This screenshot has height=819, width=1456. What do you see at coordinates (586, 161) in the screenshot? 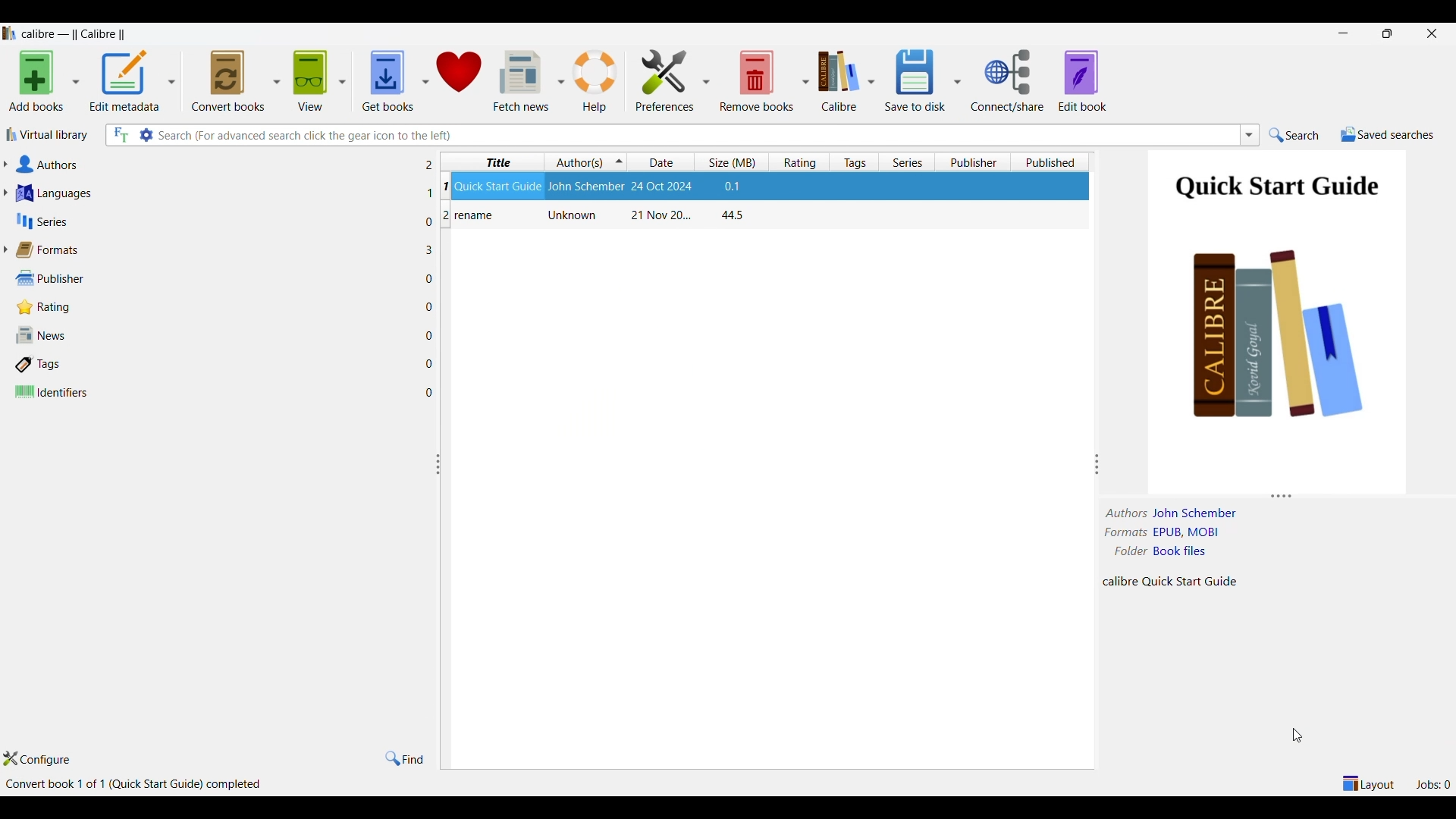
I see `Authors column, current sorting` at bounding box center [586, 161].